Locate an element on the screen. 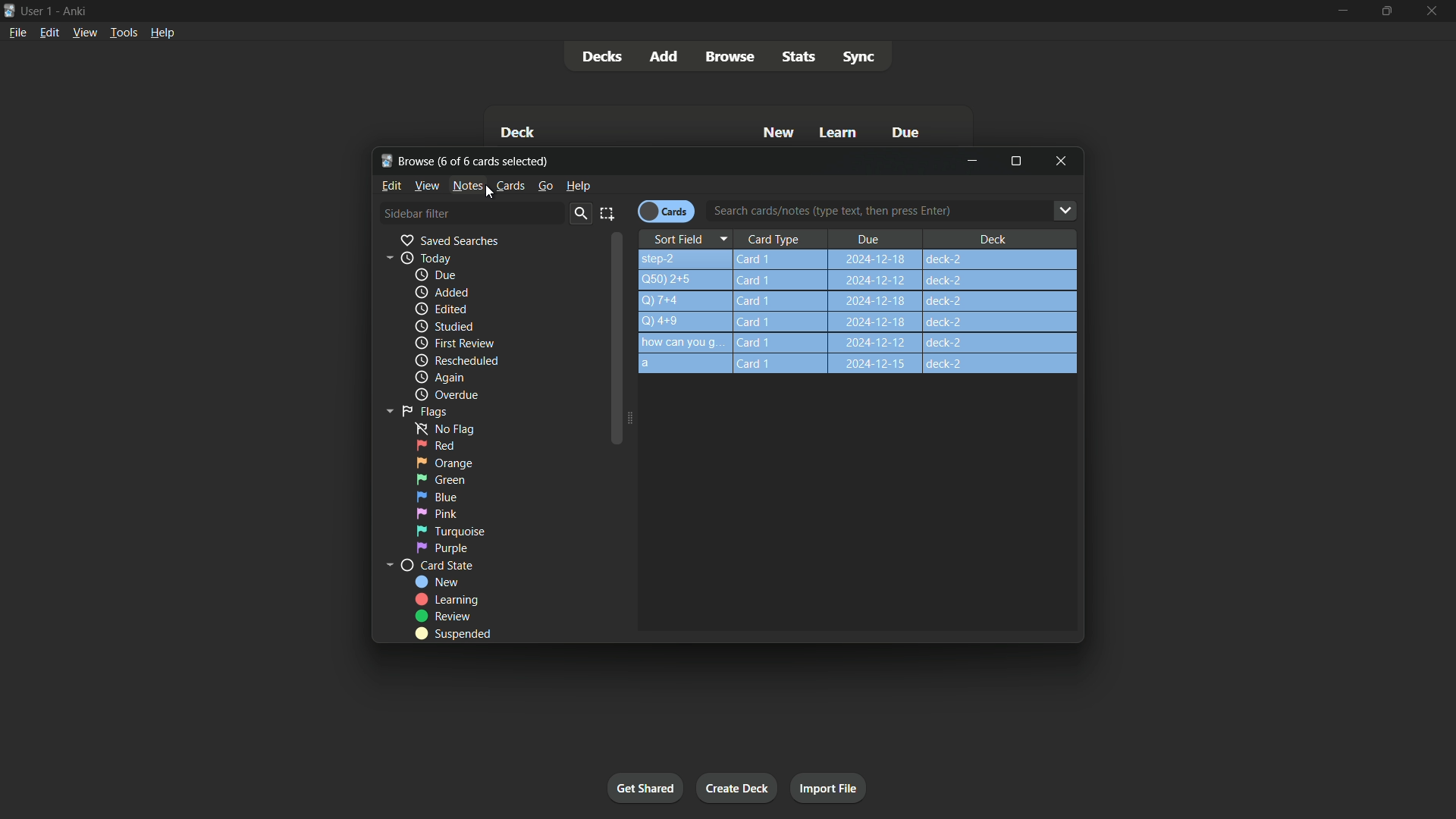 This screenshot has height=819, width=1456. due is located at coordinates (436, 276).